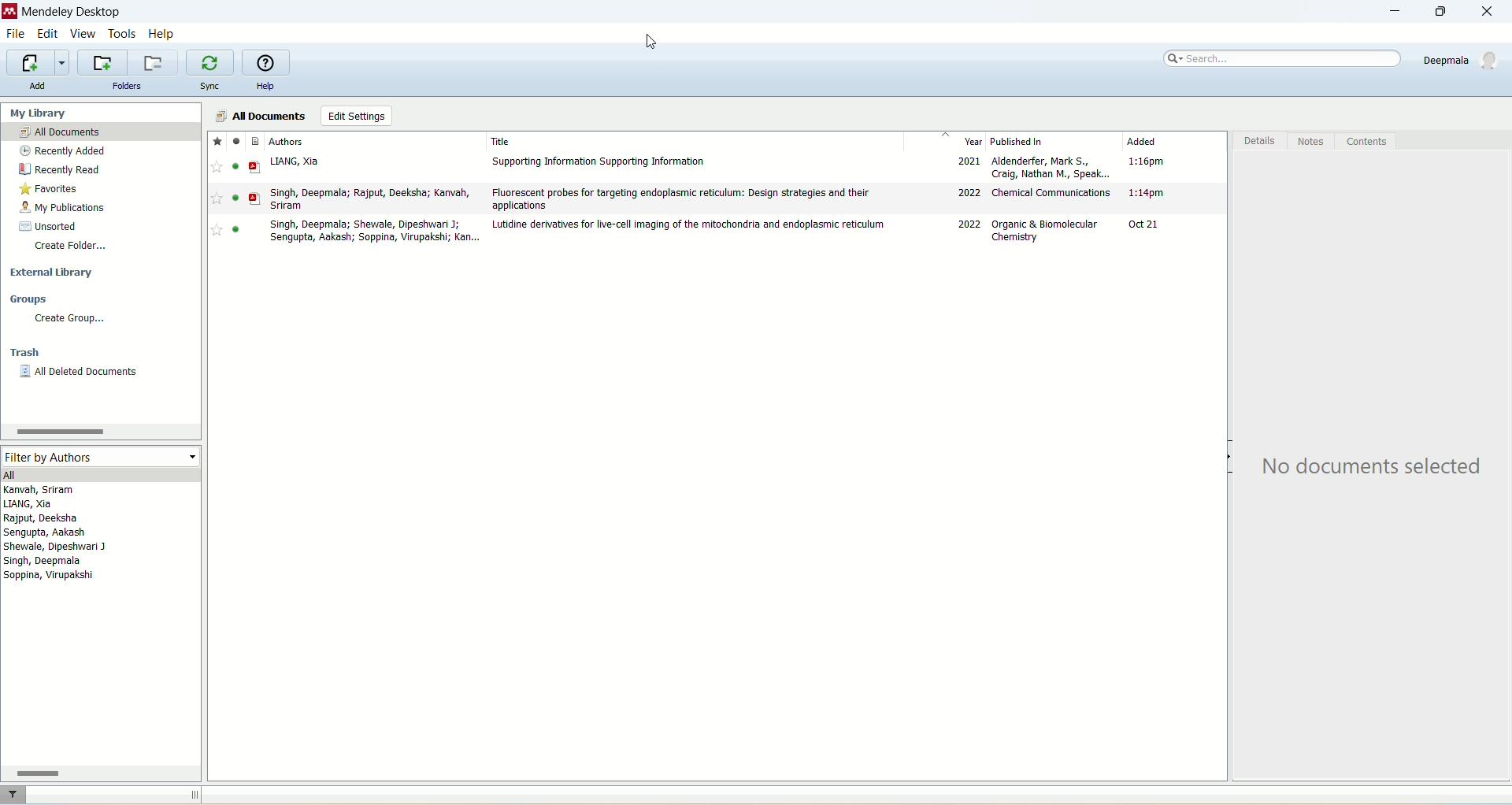 The width and height of the screenshot is (1512, 805). Describe the element at coordinates (94, 131) in the screenshot. I see `all documents` at that location.